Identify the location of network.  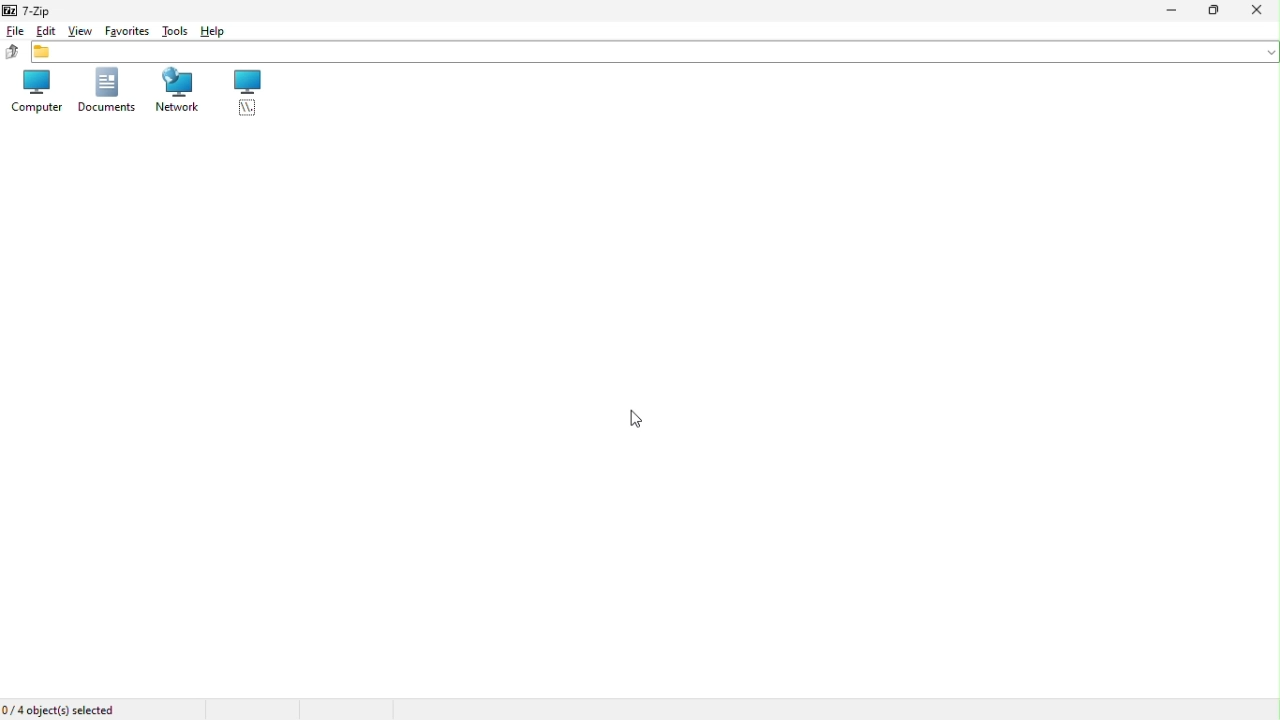
(175, 94).